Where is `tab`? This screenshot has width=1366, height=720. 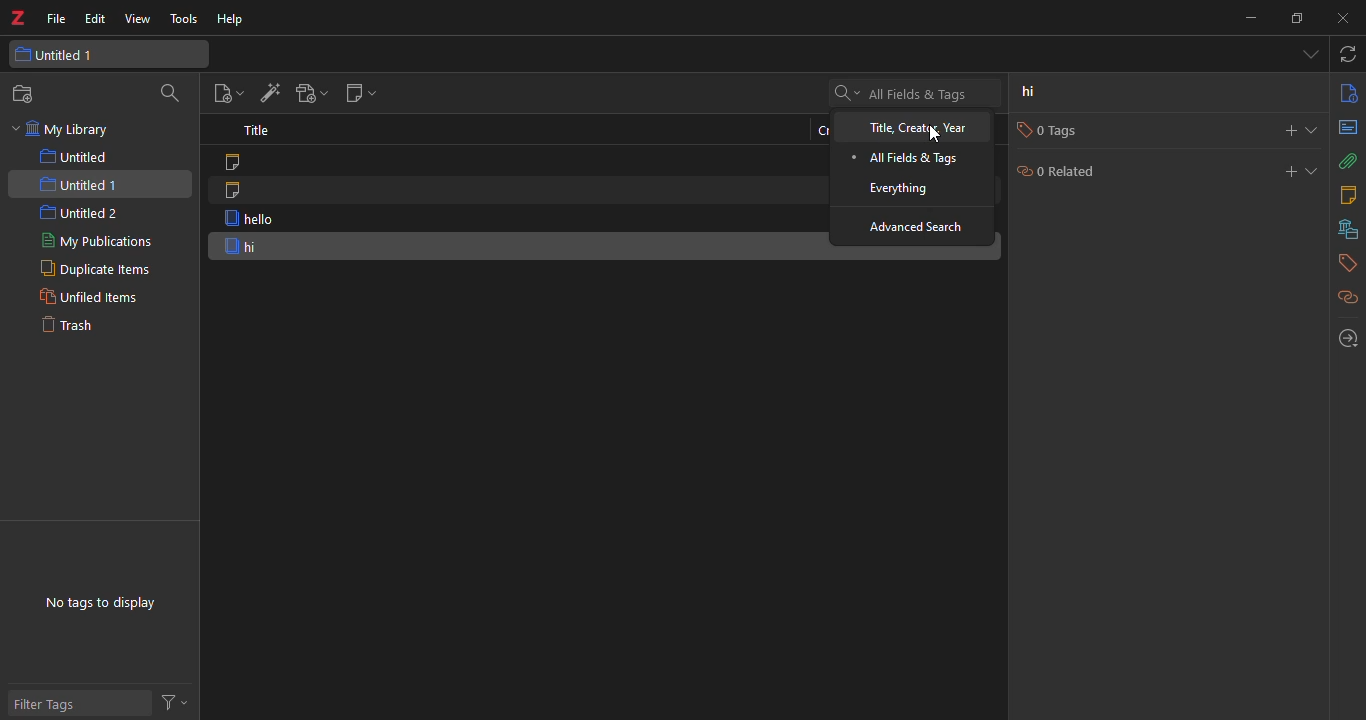 tab is located at coordinates (1306, 54).